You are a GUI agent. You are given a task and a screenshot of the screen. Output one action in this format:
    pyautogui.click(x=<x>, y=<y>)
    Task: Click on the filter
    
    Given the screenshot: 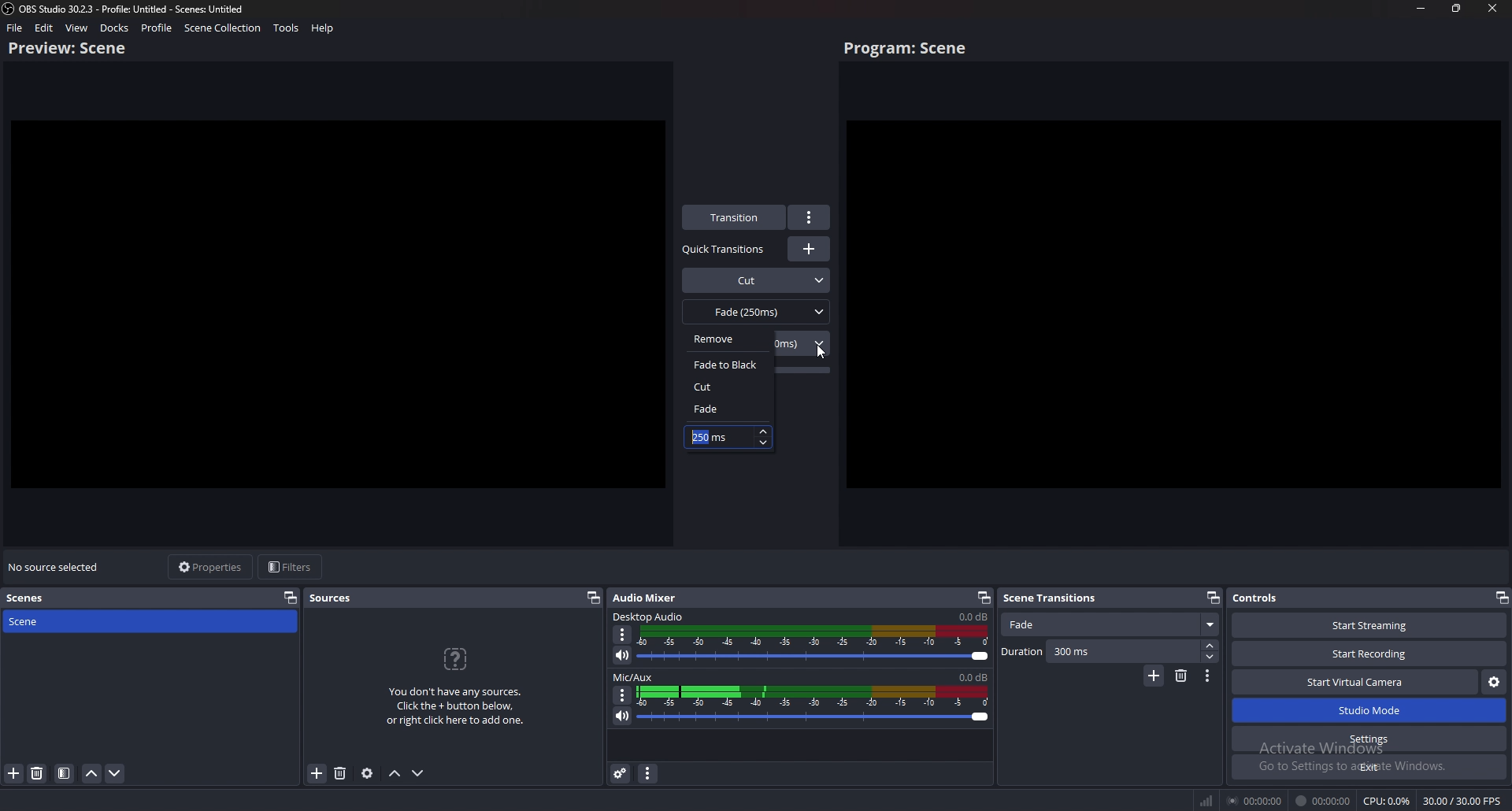 What is the action you would take?
    pyautogui.click(x=65, y=774)
    